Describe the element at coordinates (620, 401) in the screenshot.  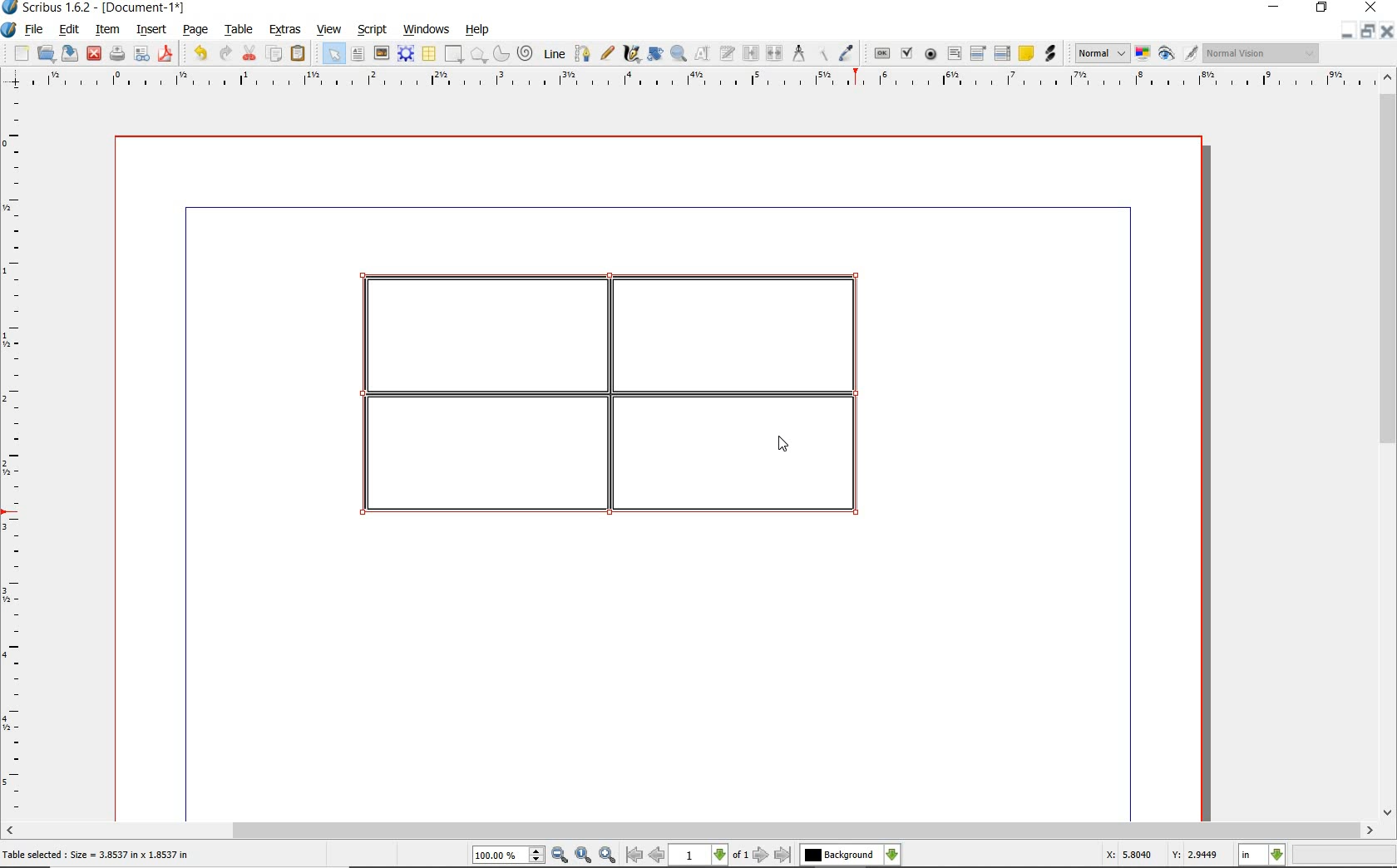
I see `drawn table` at that location.